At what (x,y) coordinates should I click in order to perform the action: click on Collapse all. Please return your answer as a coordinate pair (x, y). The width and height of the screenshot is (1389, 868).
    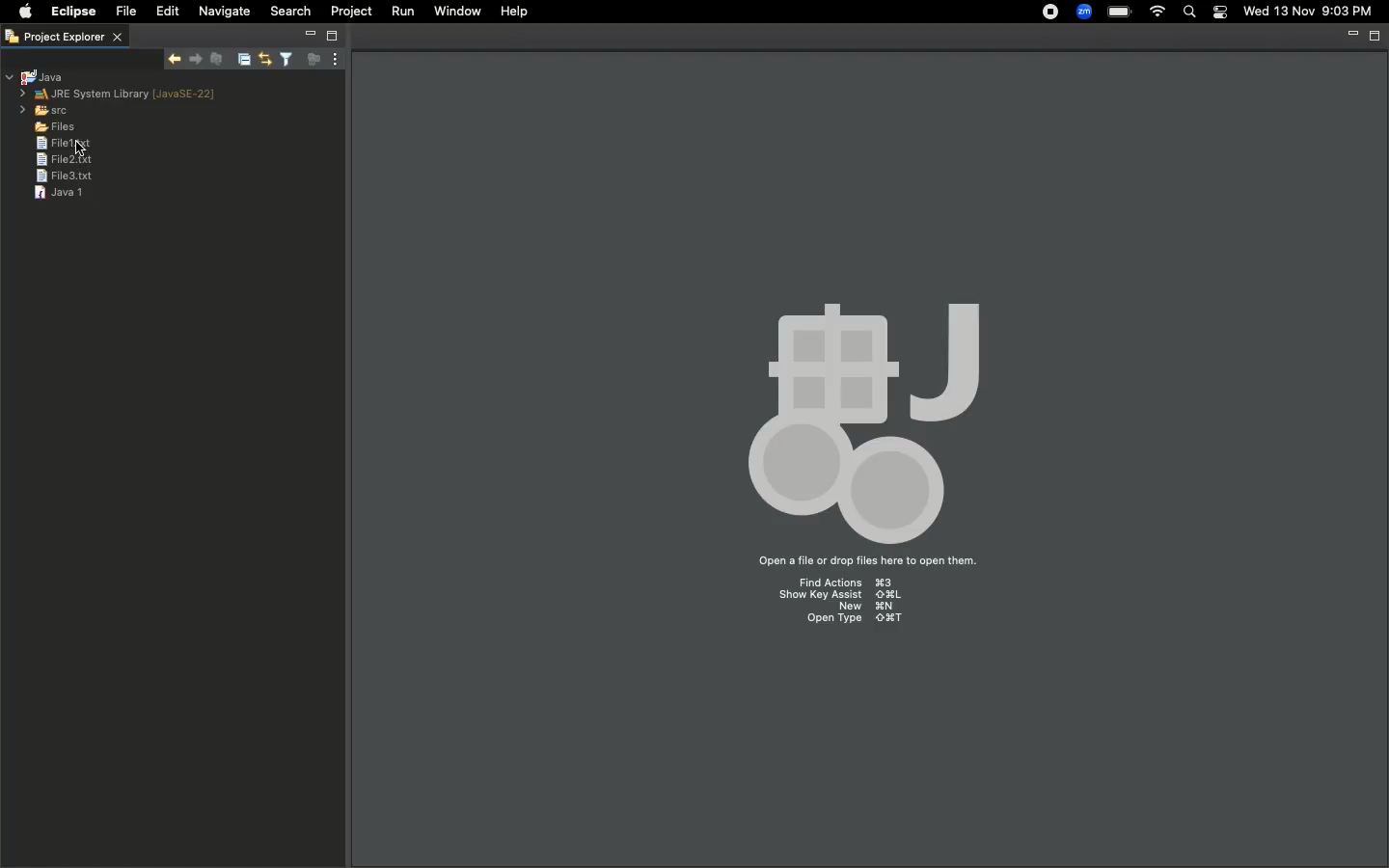
    Looking at the image, I should click on (241, 61).